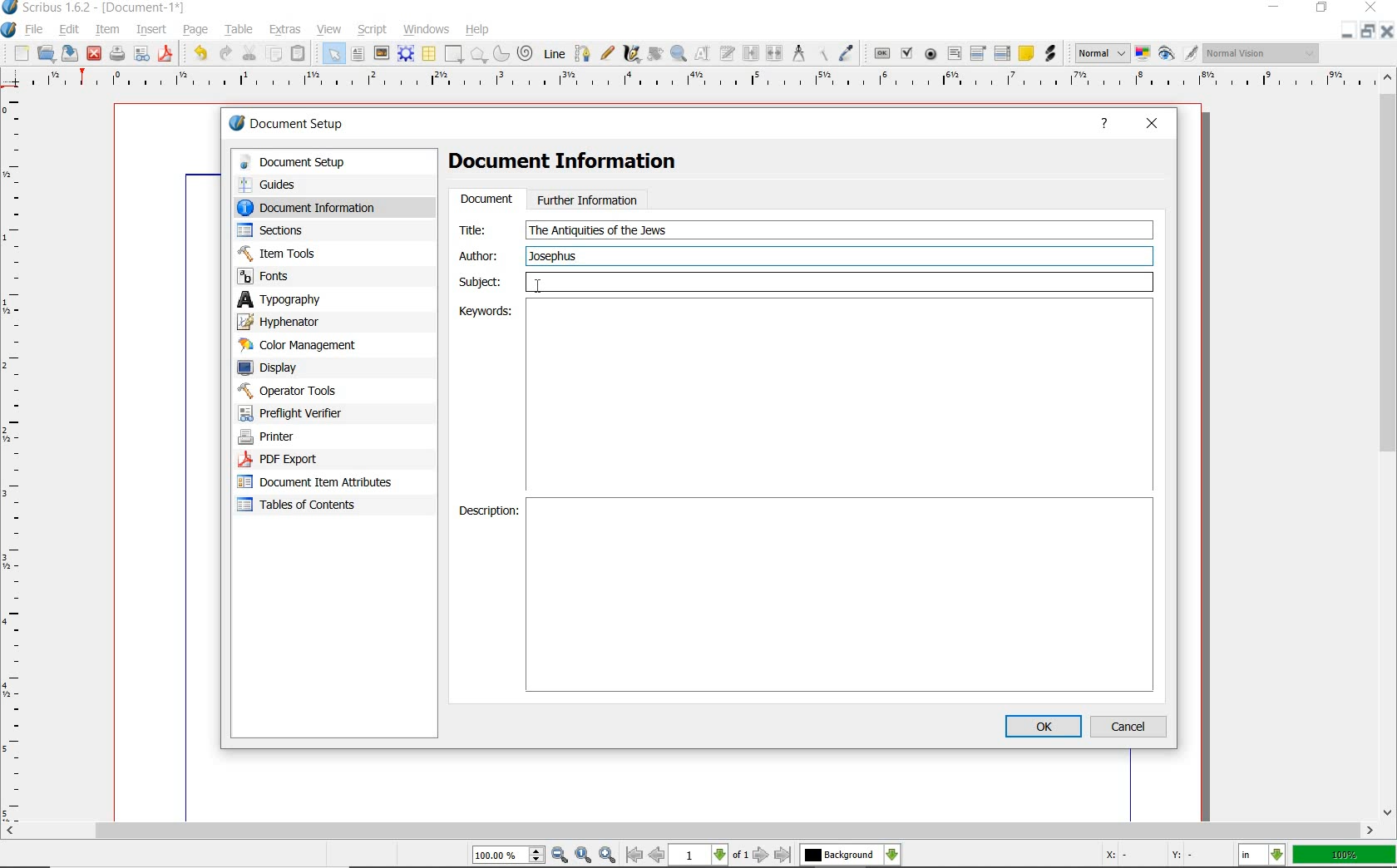 The height and width of the screenshot is (868, 1397). I want to click on PDF Export, so click(308, 459).